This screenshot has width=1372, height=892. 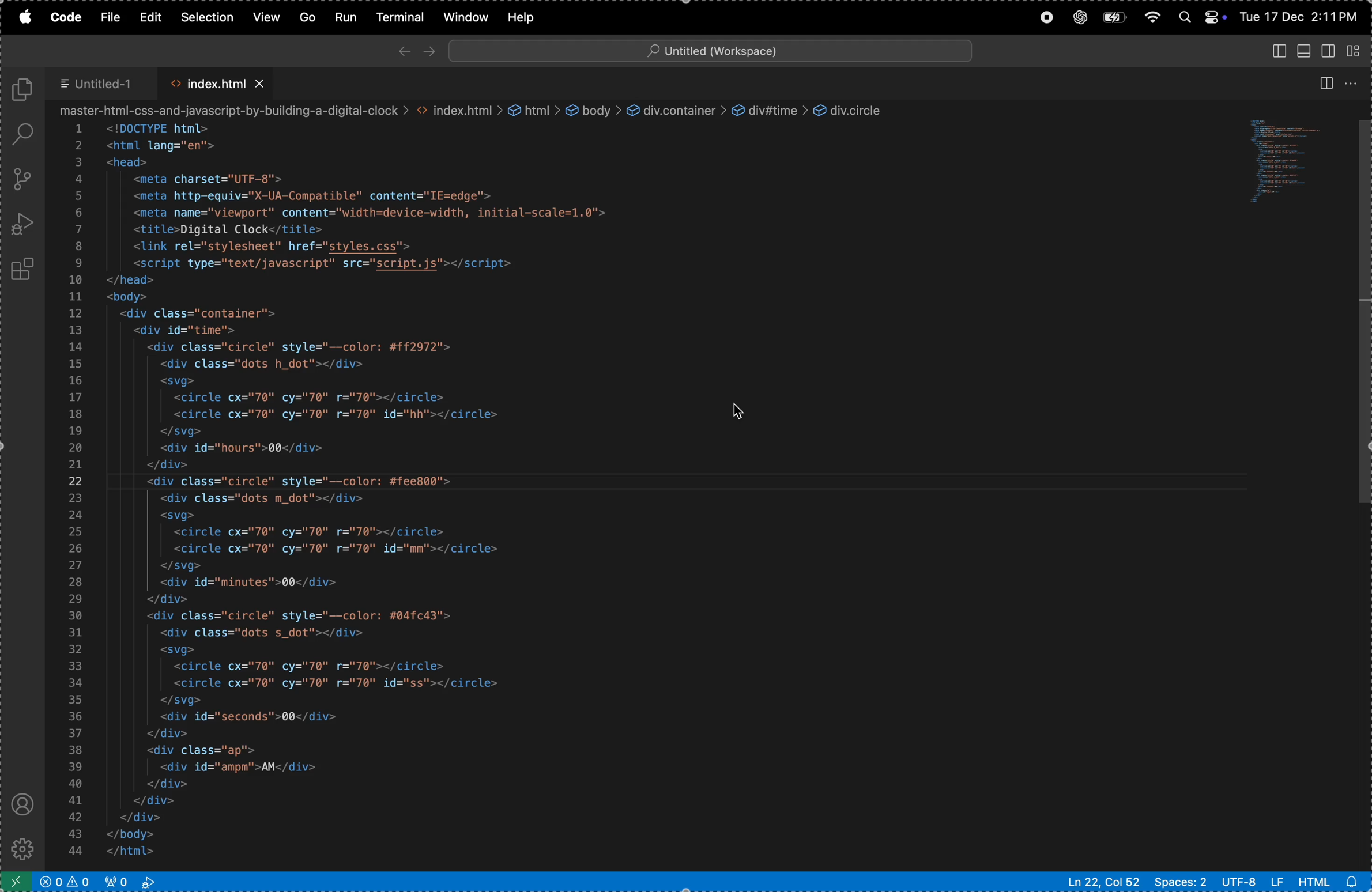 I want to click on customize layout, so click(x=1354, y=52).